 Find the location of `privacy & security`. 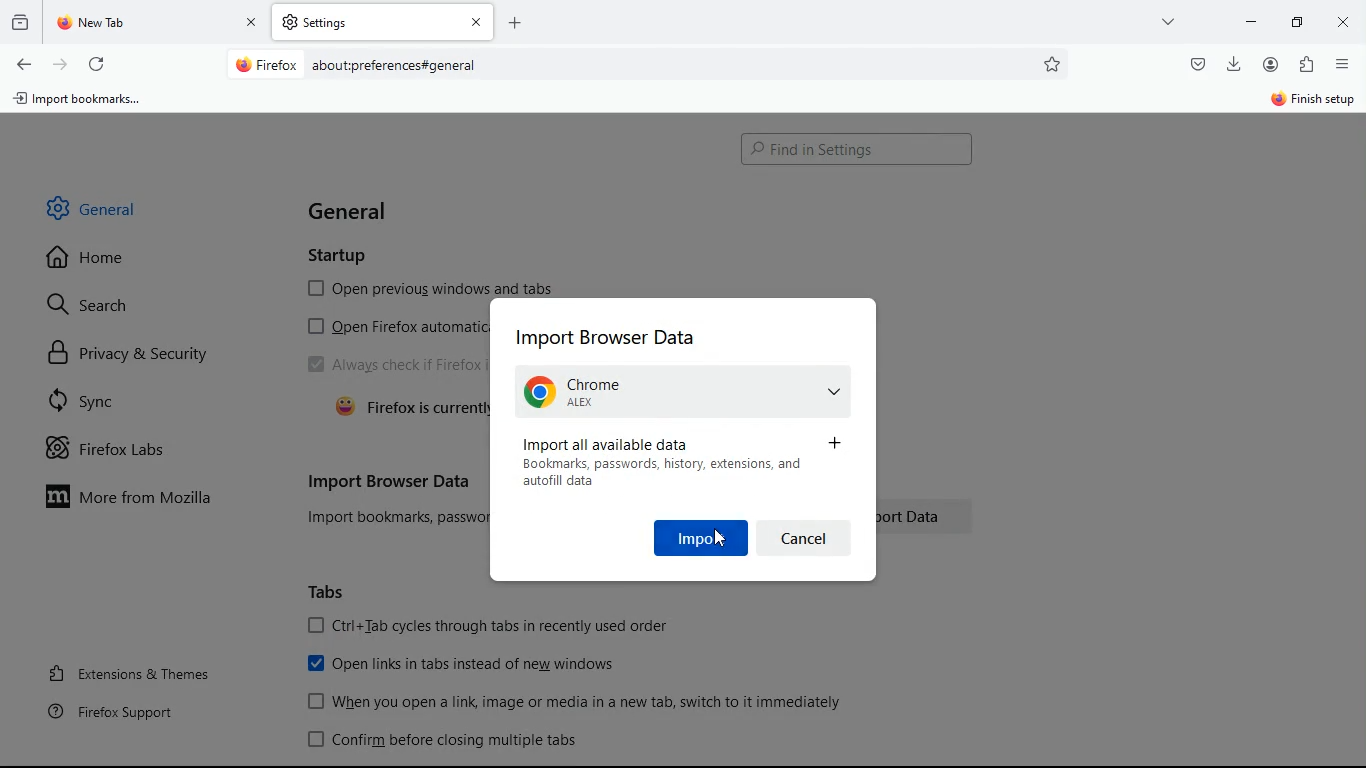

privacy & security is located at coordinates (142, 353).